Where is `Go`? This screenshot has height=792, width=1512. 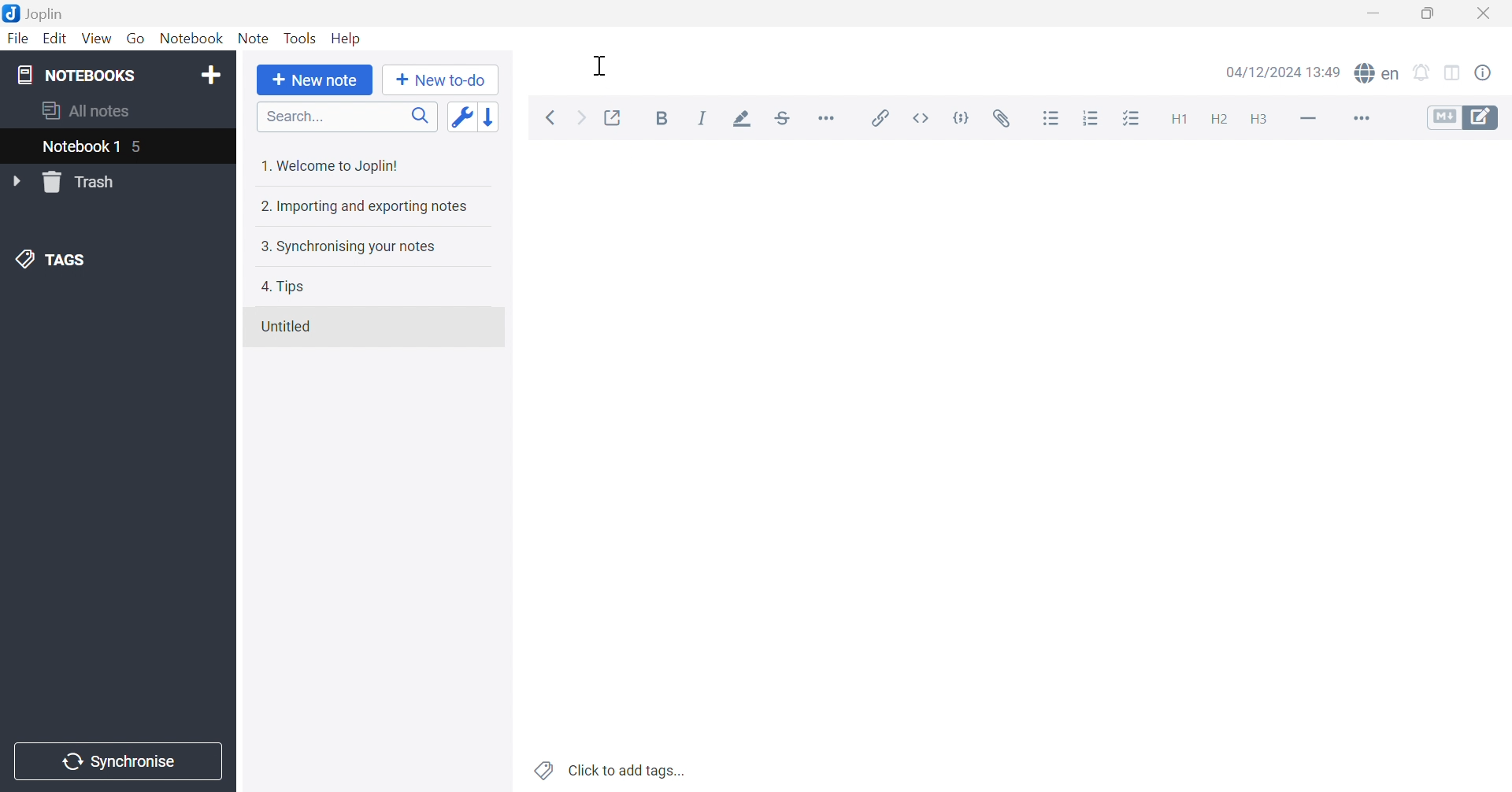
Go is located at coordinates (135, 38).